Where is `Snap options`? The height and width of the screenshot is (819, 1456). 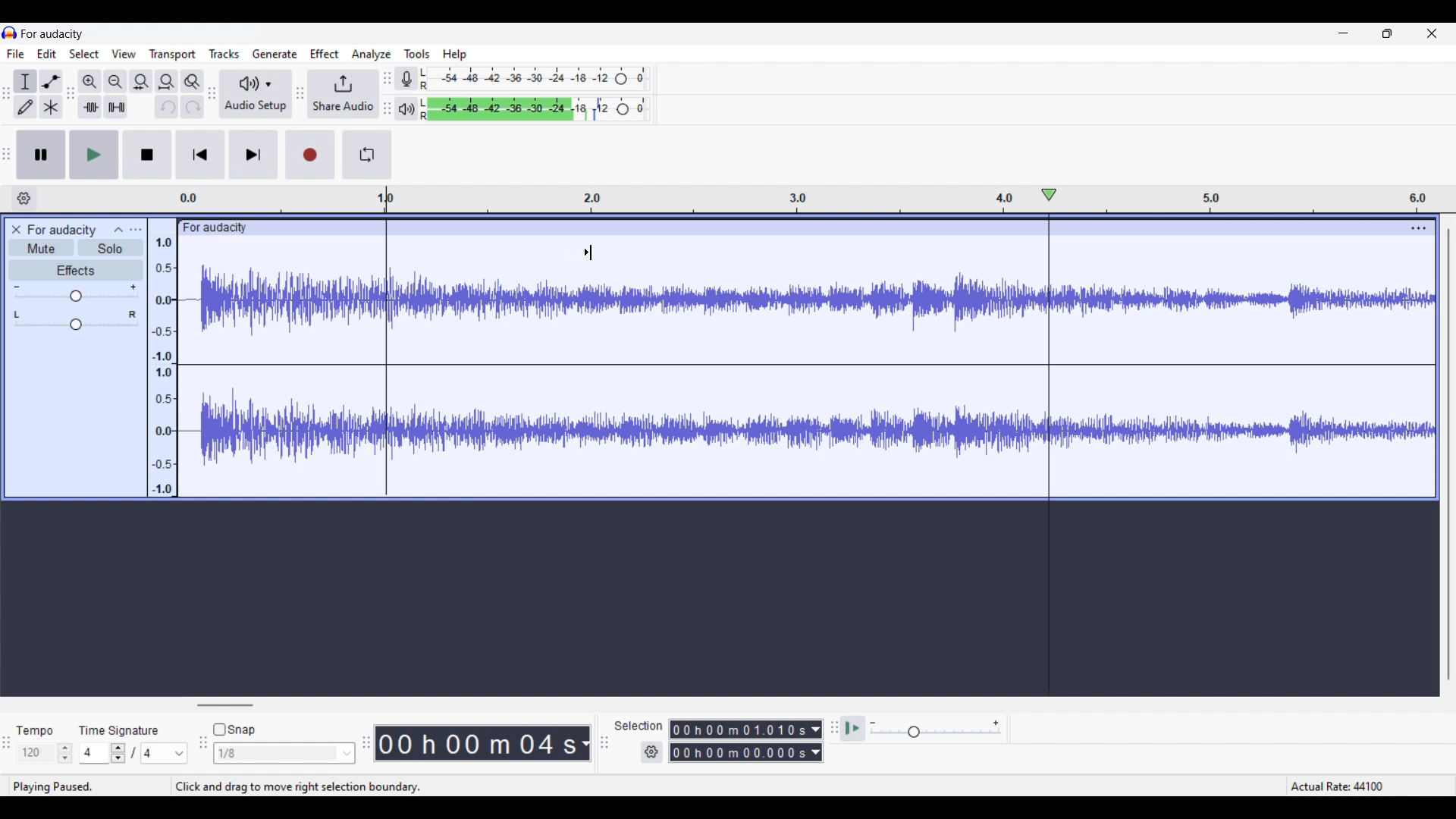
Snap options is located at coordinates (285, 753).